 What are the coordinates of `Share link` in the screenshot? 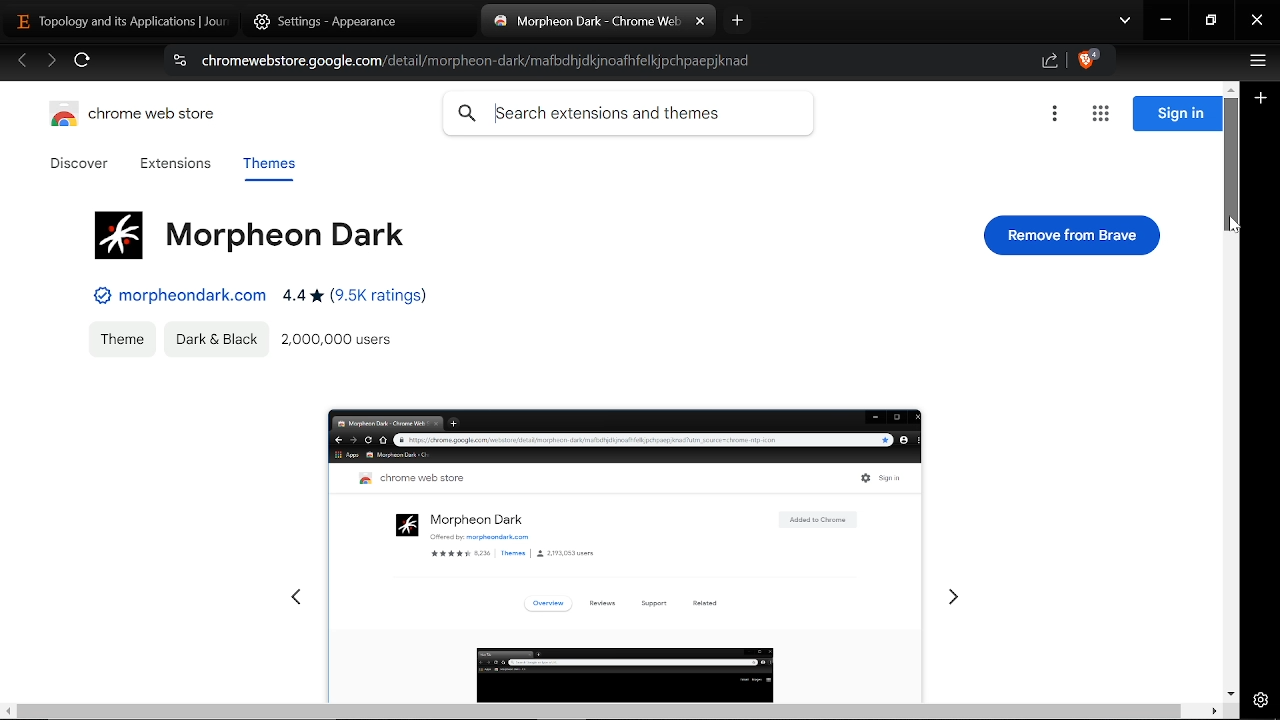 It's located at (1050, 62).